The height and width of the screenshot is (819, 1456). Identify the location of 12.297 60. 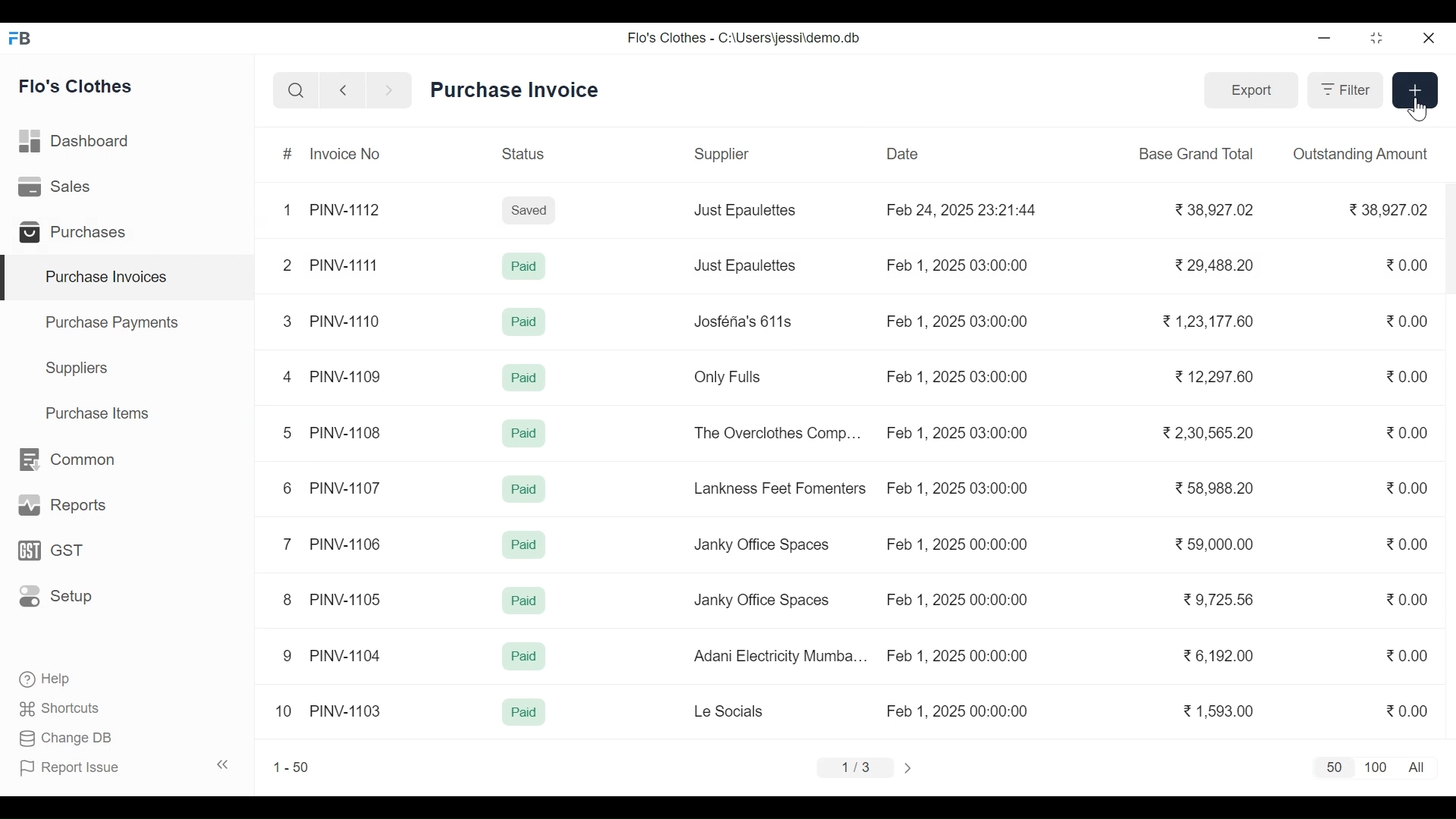
(1212, 376).